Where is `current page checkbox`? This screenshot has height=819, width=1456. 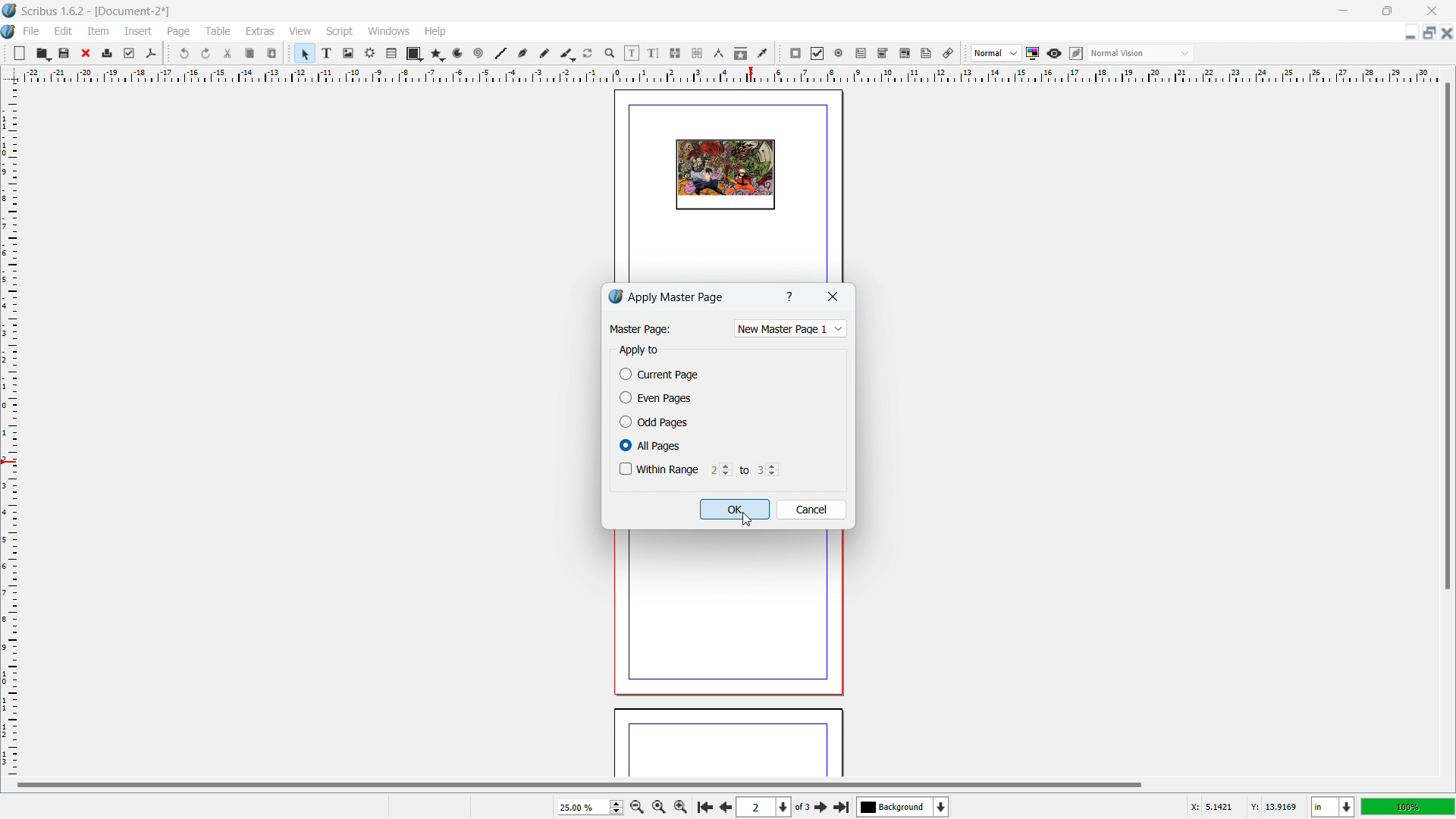
current page checkbox is located at coordinates (661, 375).